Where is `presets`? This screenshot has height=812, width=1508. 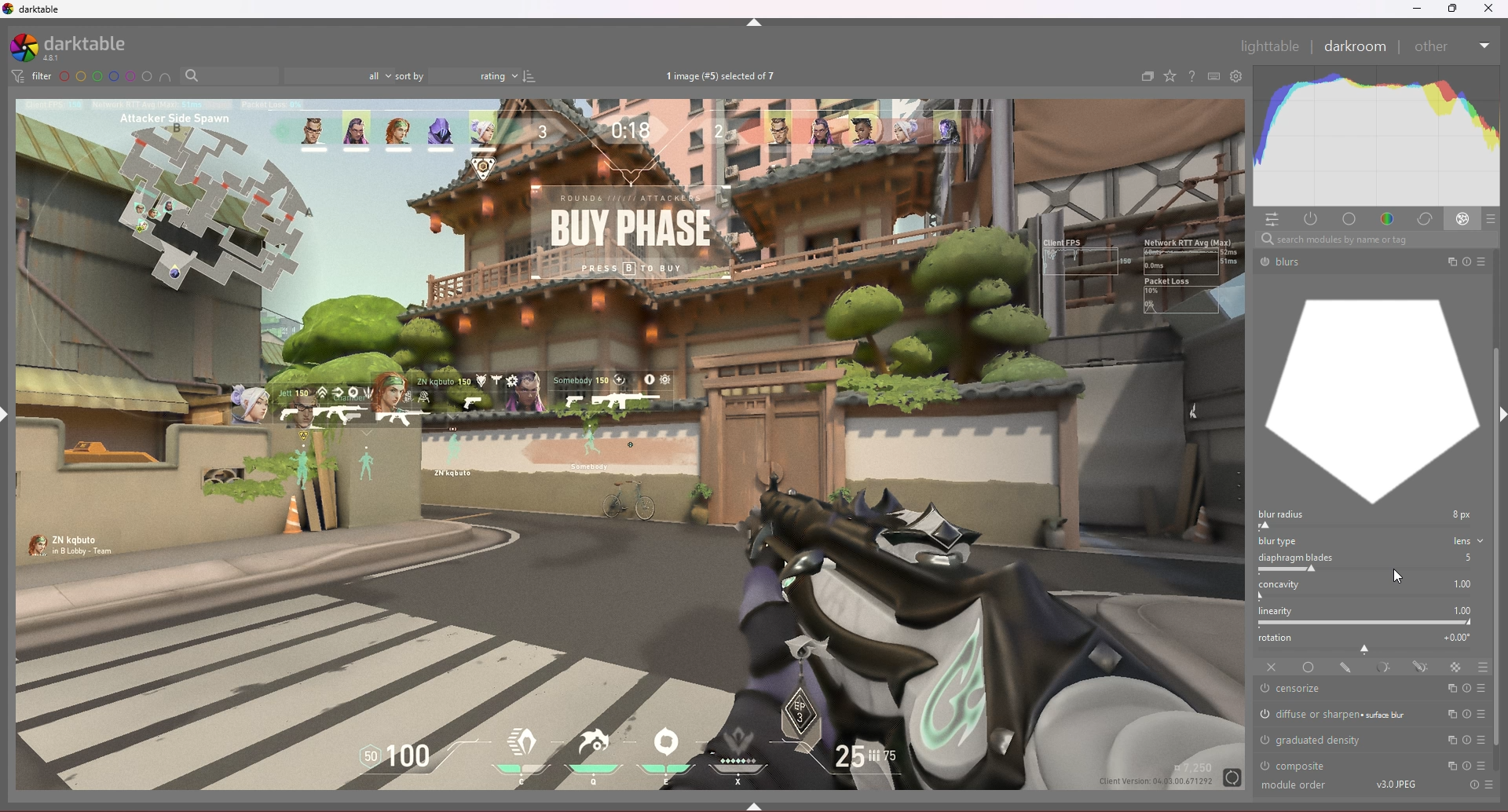 presets is located at coordinates (1492, 219).